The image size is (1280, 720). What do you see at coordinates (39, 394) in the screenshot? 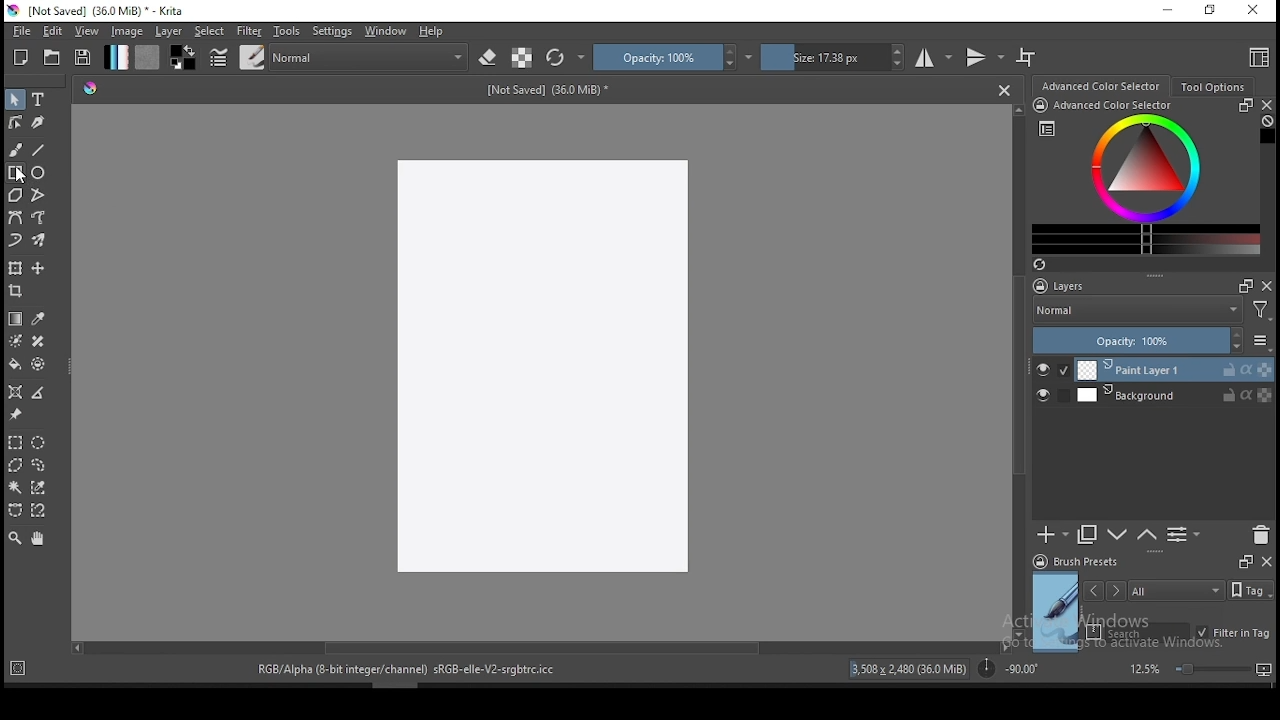
I see `measure distance between two points` at bounding box center [39, 394].